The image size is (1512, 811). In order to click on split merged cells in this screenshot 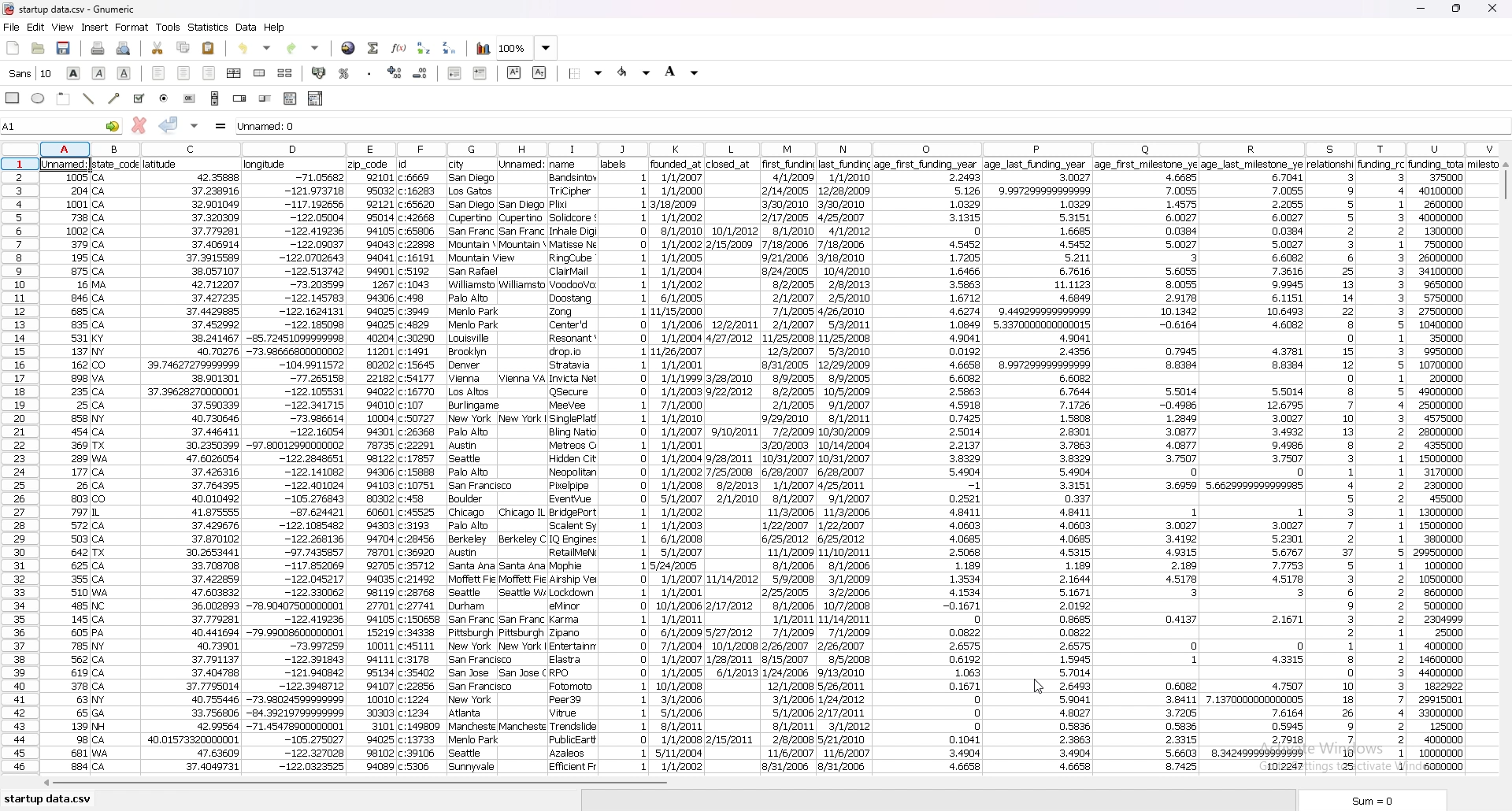, I will do `click(285, 73)`.